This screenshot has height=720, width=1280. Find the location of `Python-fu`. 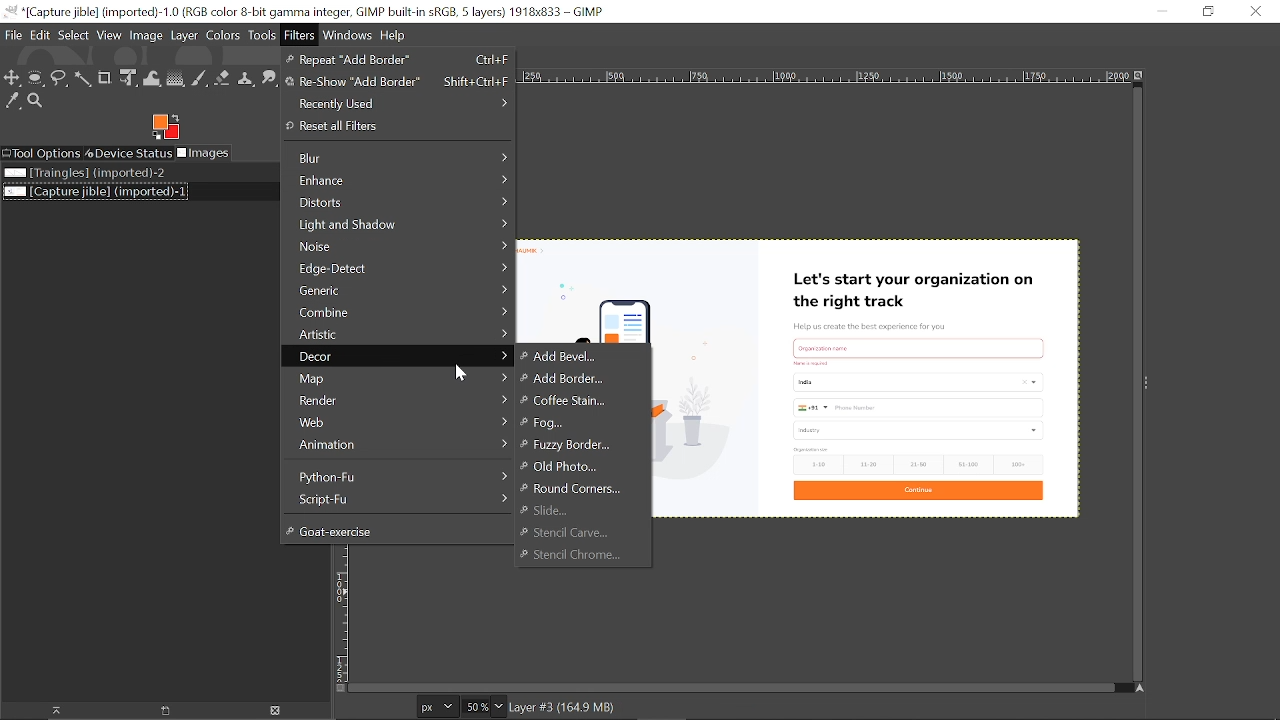

Python-fu is located at coordinates (396, 477).